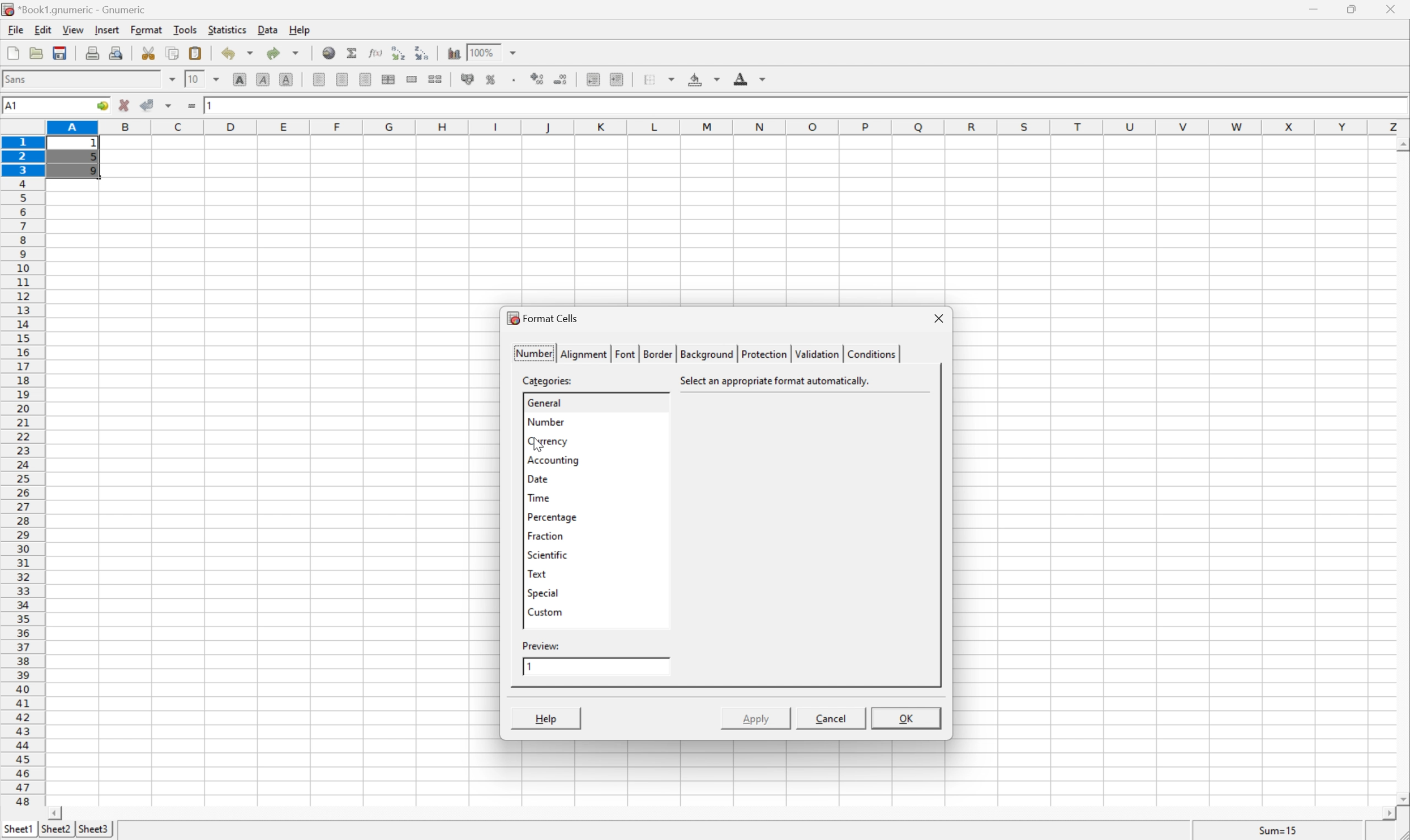  Describe the element at coordinates (169, 106) in the screenshot. I see `accept changes across all selections` at that location.